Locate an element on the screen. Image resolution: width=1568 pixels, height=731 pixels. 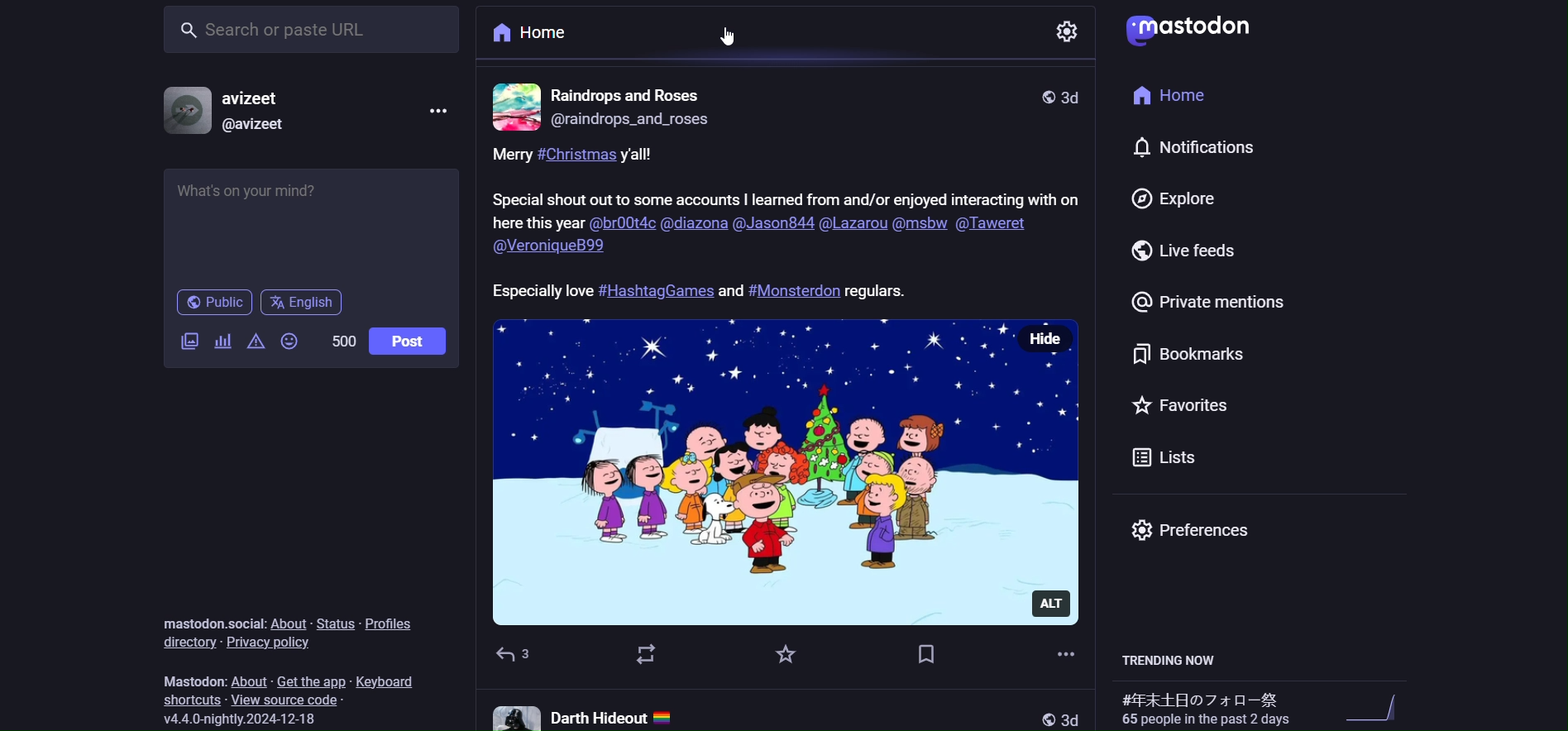
favorite is located at coordinates (784, 654).